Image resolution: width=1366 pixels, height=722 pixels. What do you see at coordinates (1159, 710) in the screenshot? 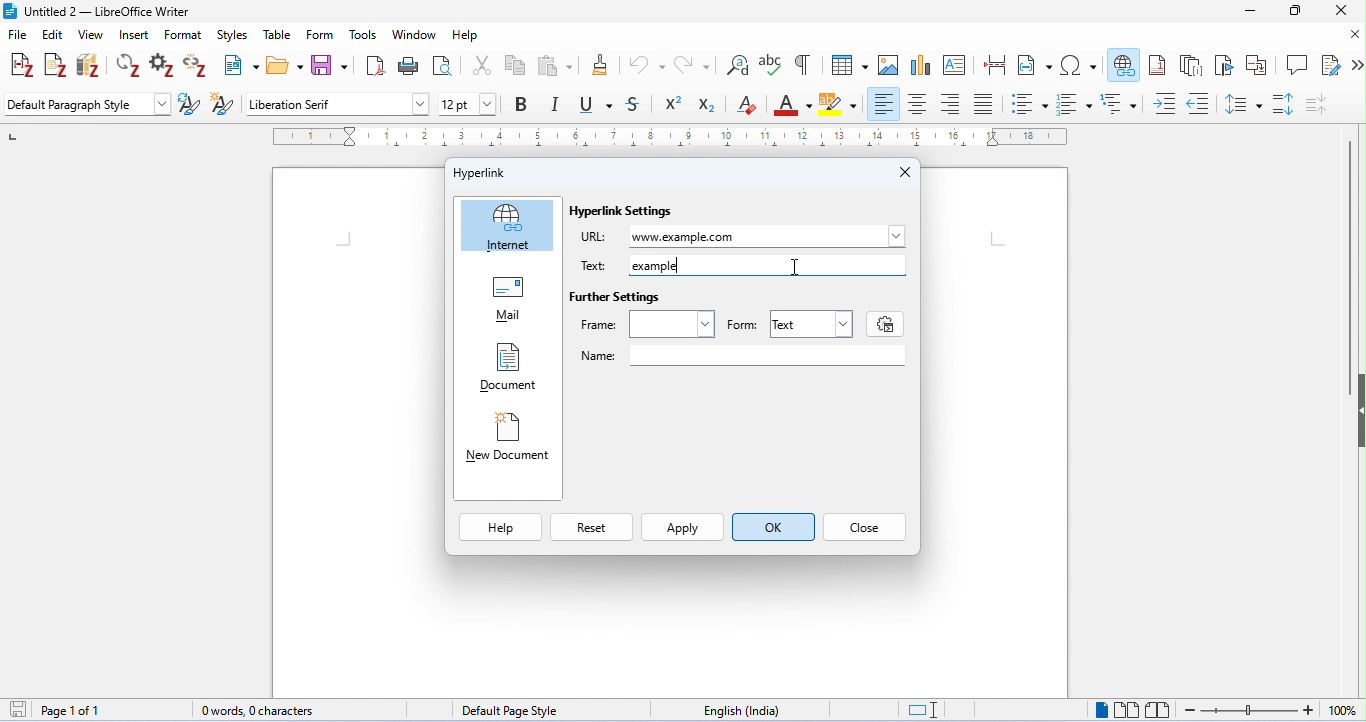
I see `book view` at bounding box center [1159, 710].